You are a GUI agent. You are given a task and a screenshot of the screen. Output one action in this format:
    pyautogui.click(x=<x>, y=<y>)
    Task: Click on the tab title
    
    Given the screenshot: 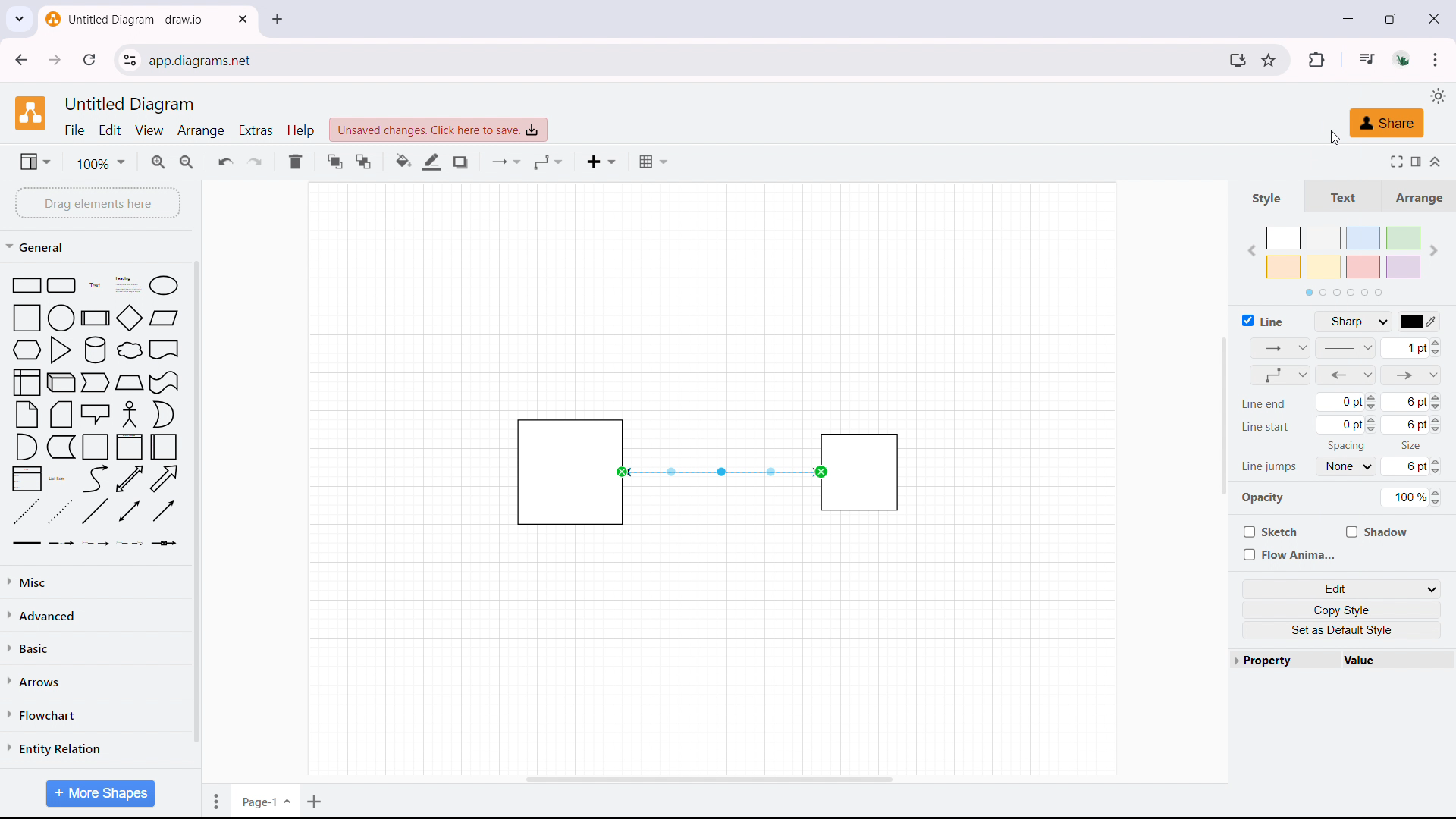 What is the action you would take?
    pyautogui.click(x=126, y=19)
    